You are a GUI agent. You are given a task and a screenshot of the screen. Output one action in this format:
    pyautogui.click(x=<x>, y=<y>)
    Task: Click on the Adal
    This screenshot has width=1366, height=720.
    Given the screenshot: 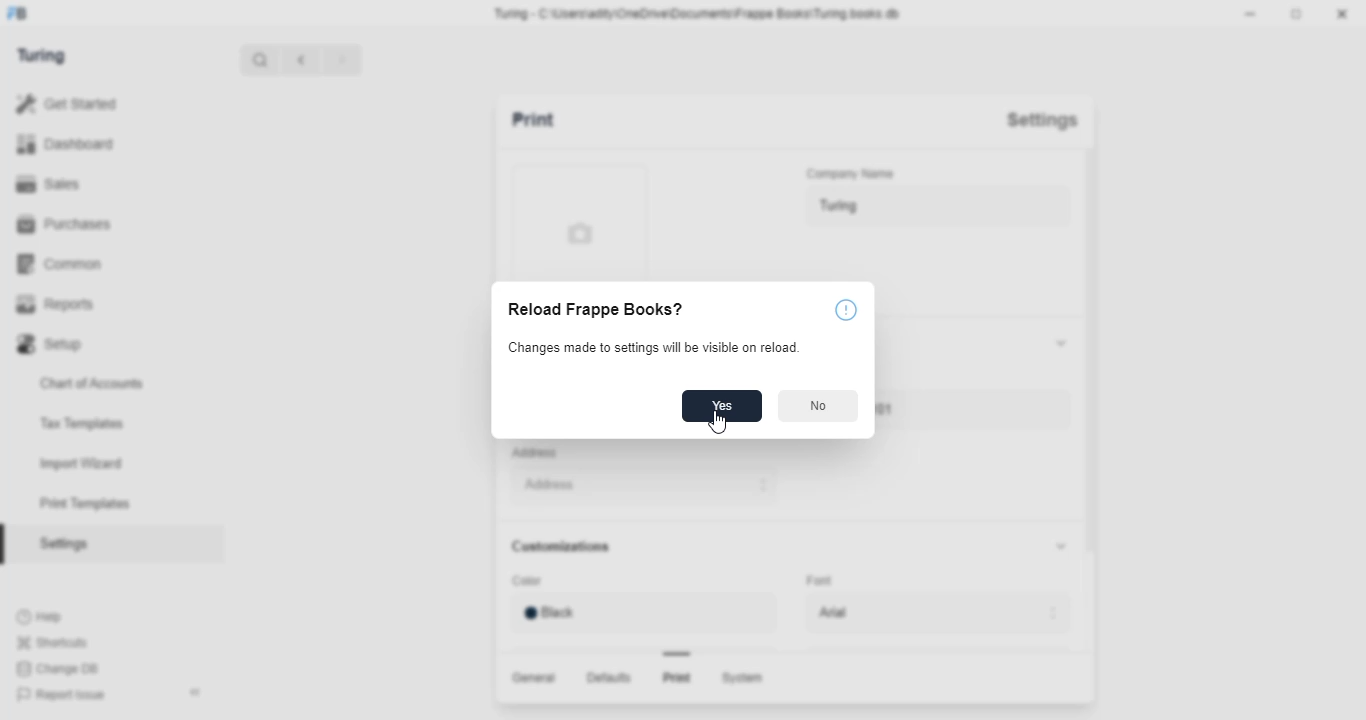 What is the action you would take?
    pyautogui.click(x=941, y=613)
    